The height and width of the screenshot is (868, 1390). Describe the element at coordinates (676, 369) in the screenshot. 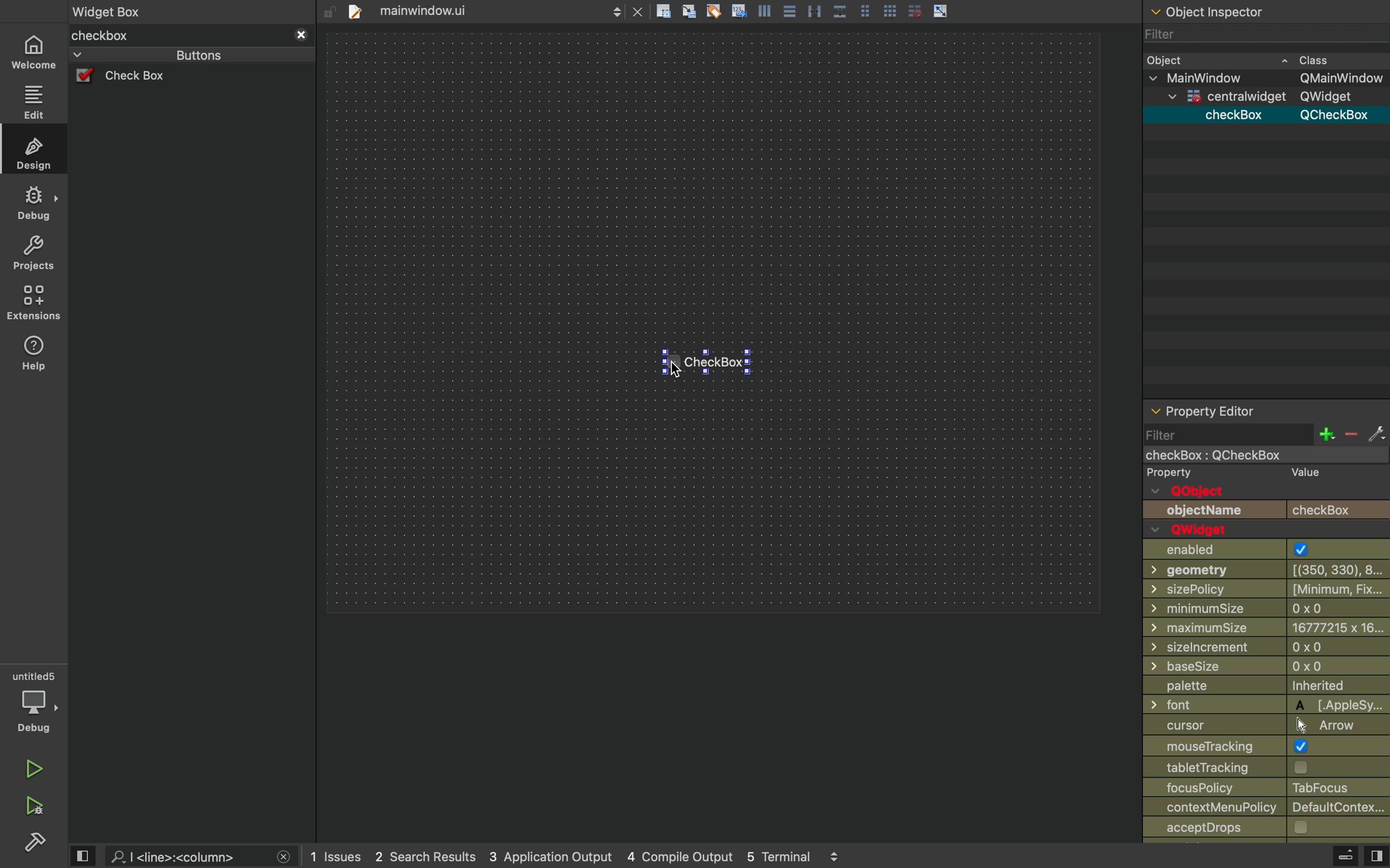

I see `cursor` at that location.